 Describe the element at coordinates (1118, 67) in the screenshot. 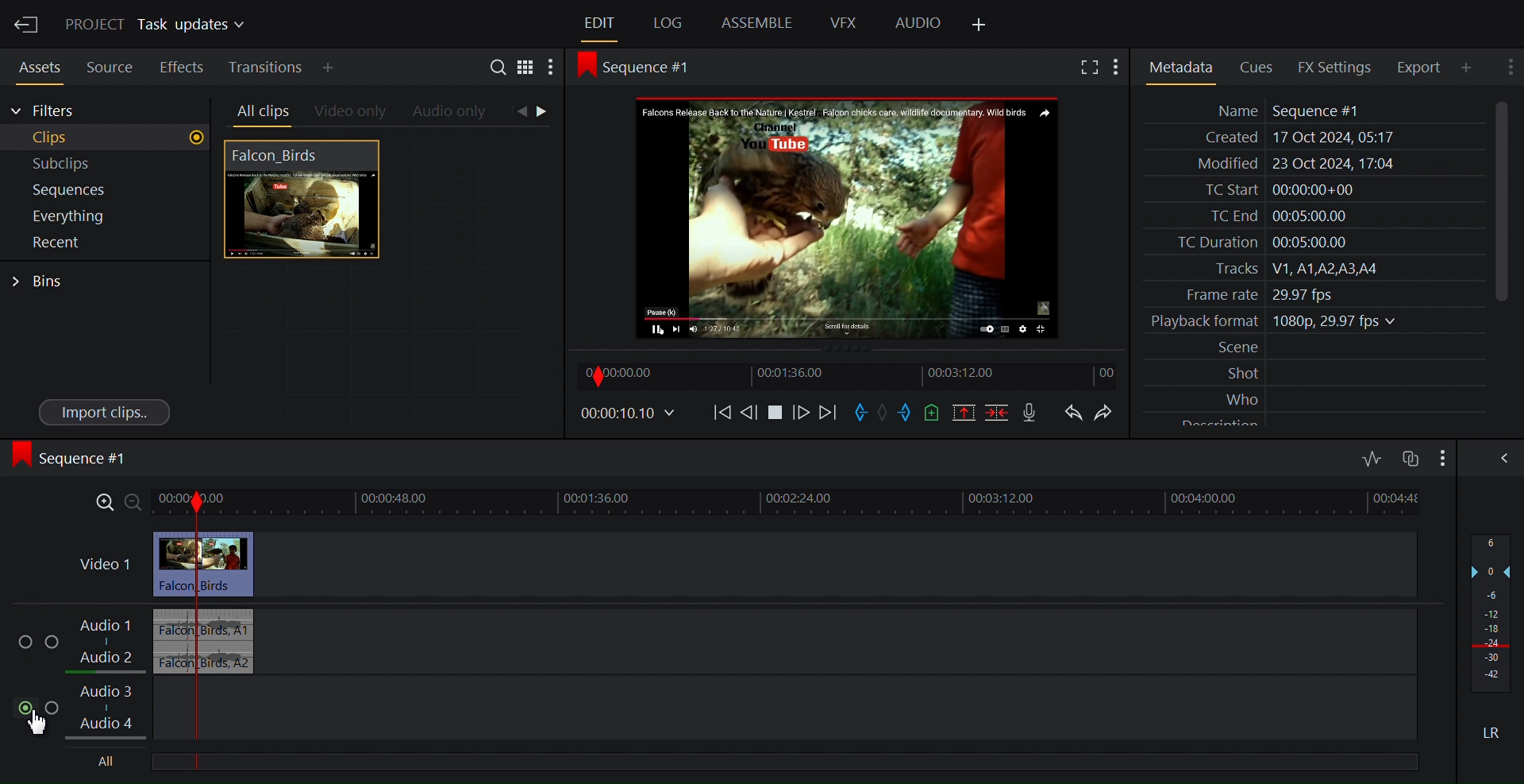

I see `Show settings menu` at that location.